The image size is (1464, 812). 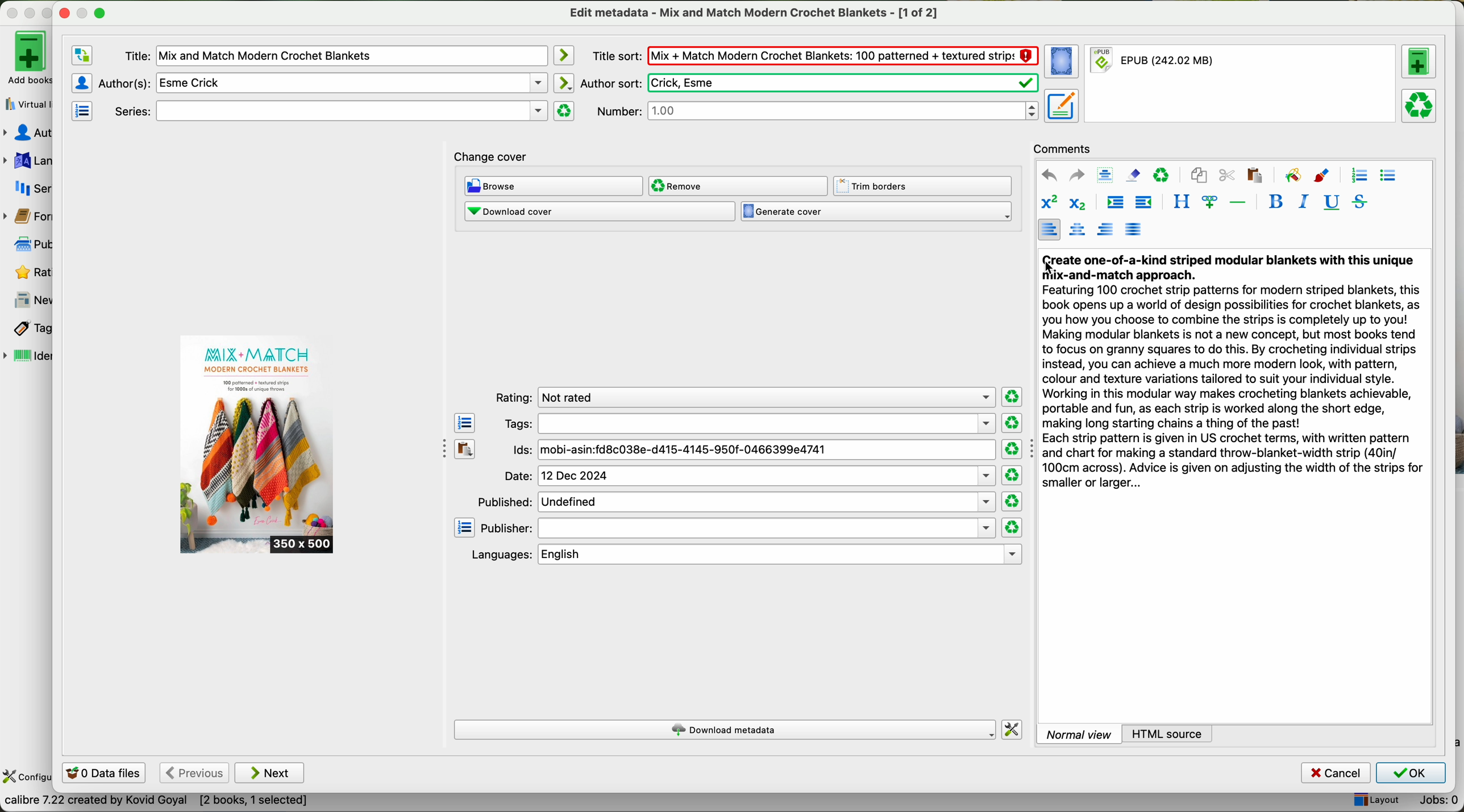 I want to click on set metadata for the book, so click(x=1060, y=105).